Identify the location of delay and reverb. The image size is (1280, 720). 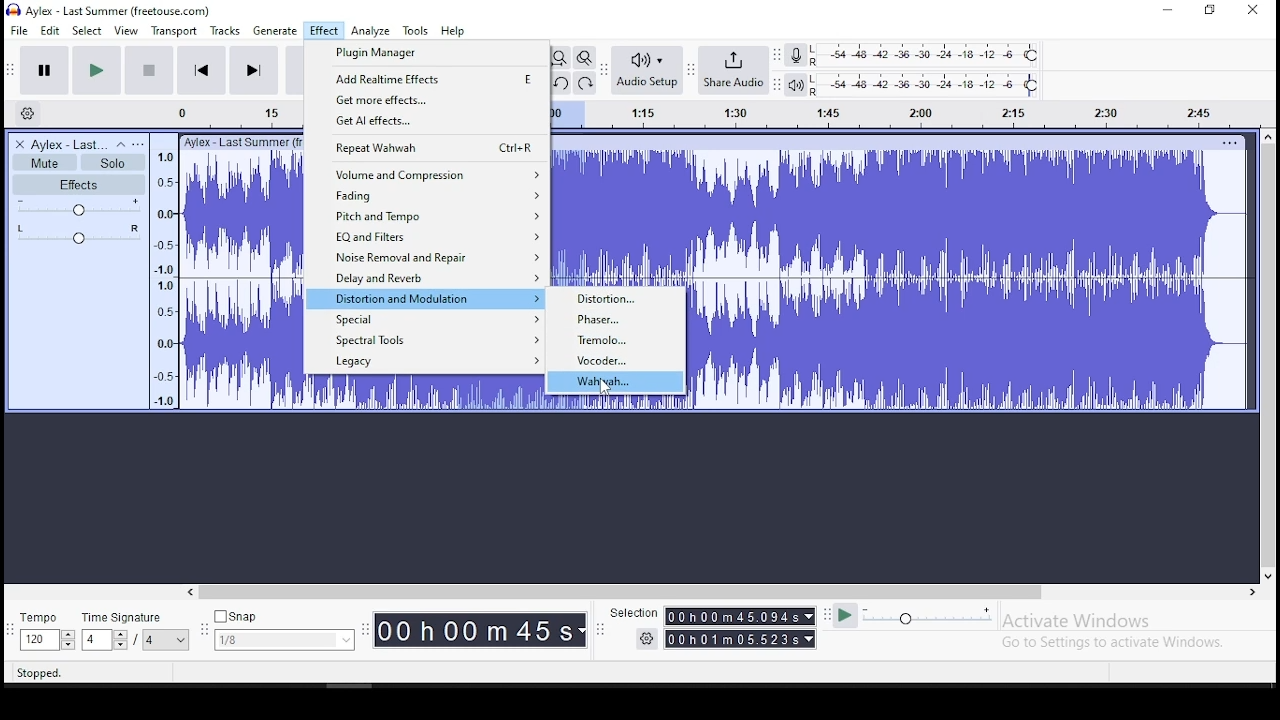
(425, 277).